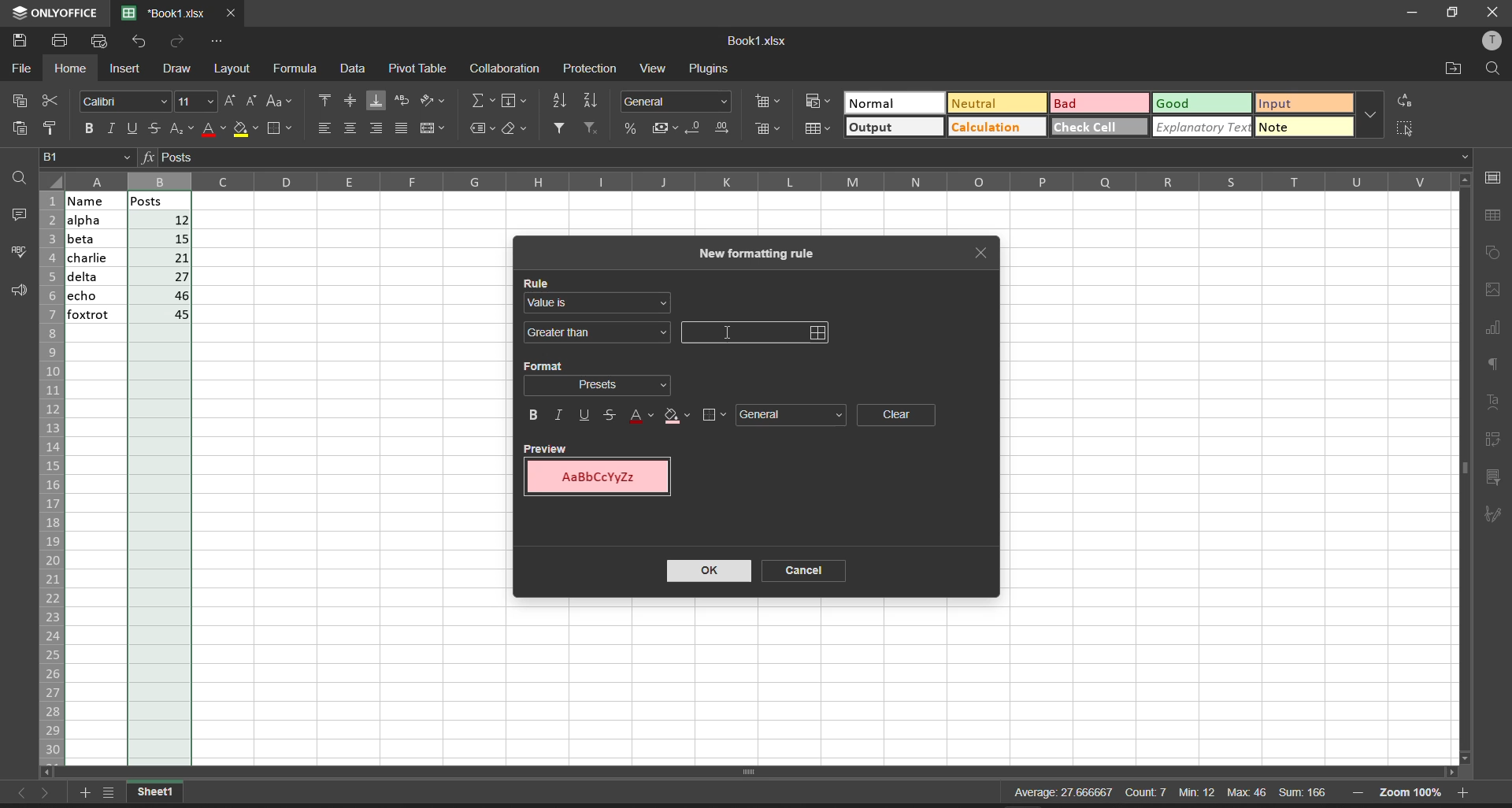 The height and width of the screenshot is (808, 1512). What do you see at coordinates (678, 415) in the screenshot?
I see `fill color` at bounding box center [678, 415].